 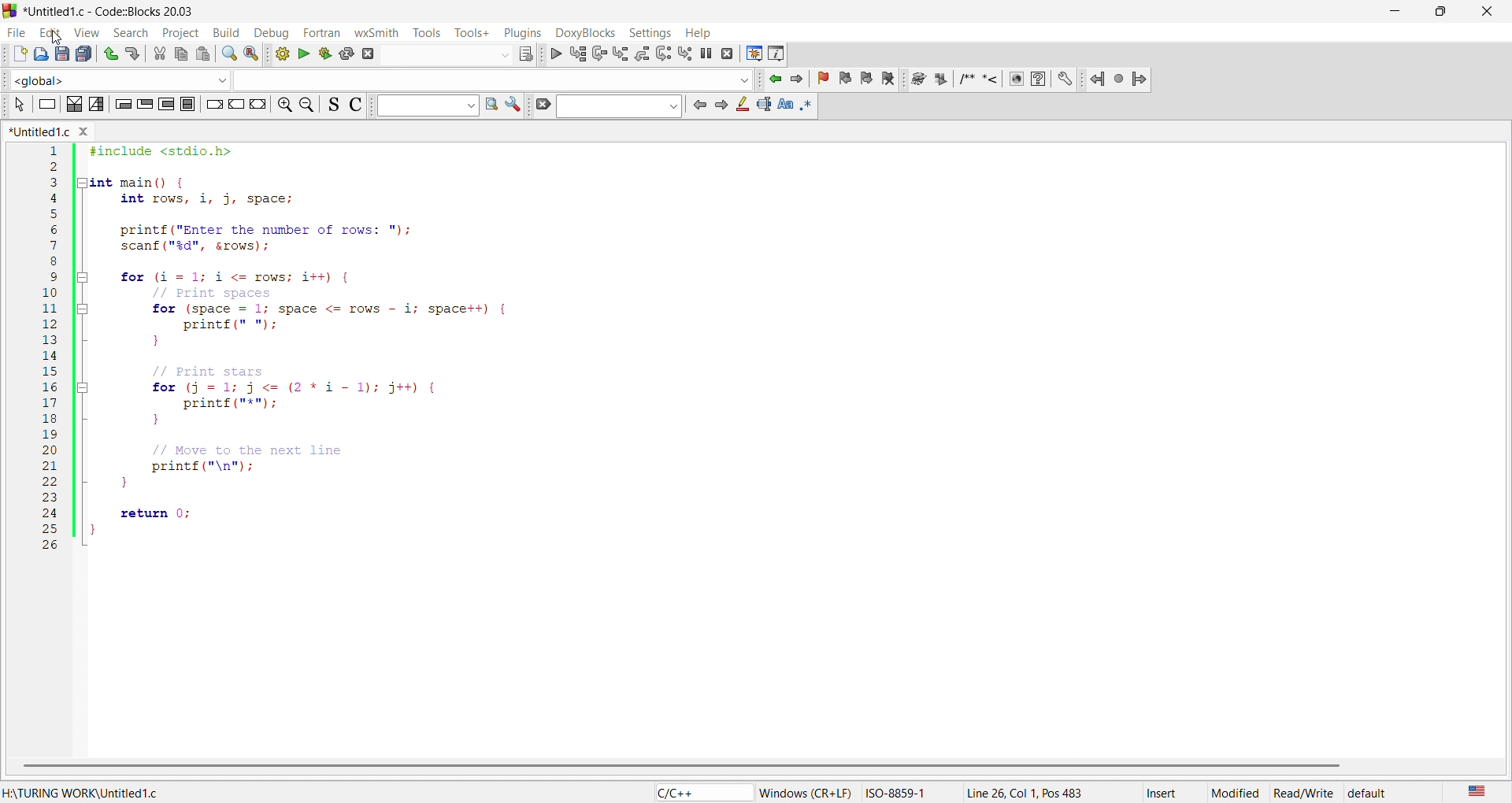 What do you see at coordinates (188, 107) in the screenshot?
I see `icon` at bounding box center [188, 107].